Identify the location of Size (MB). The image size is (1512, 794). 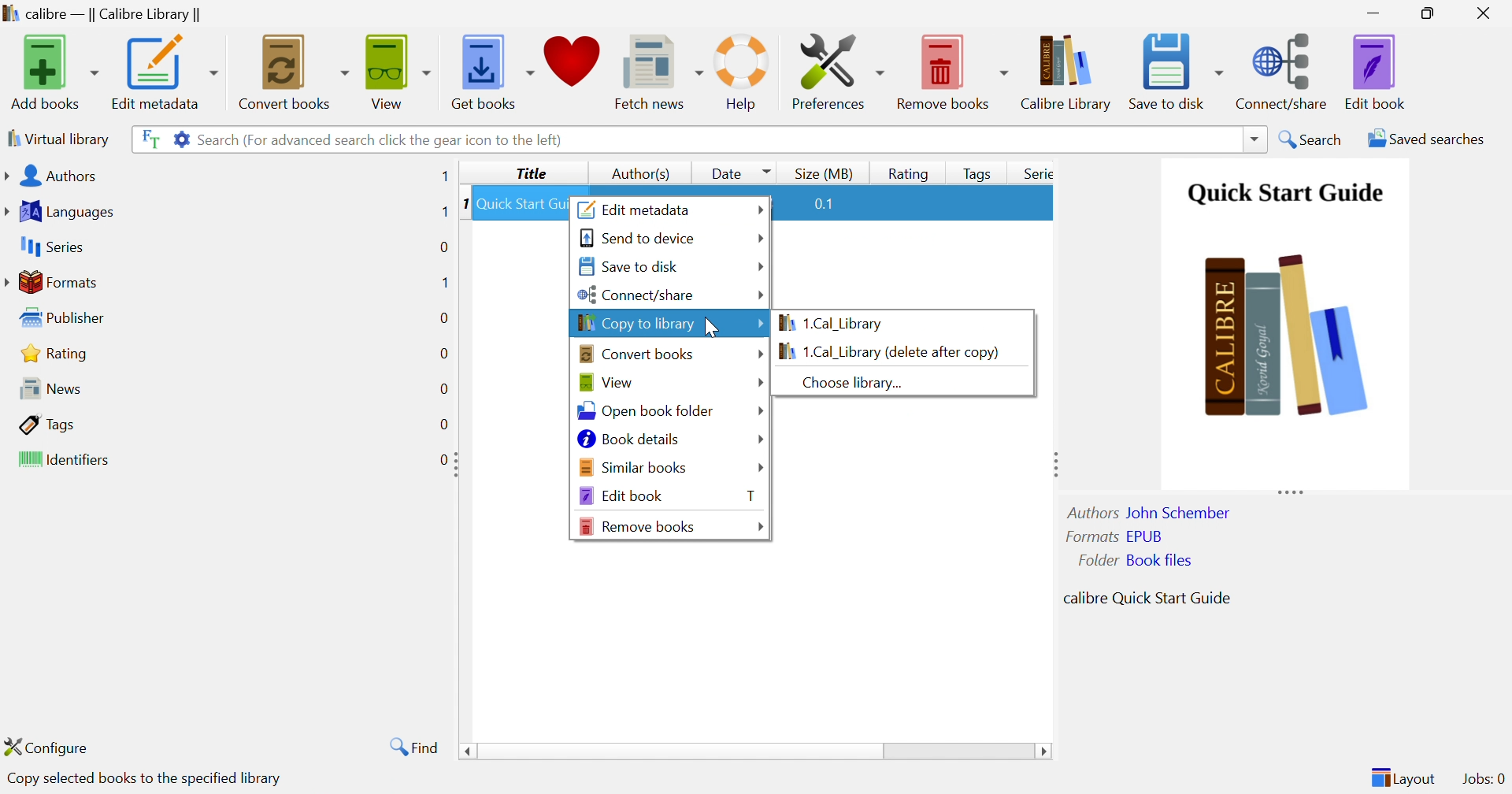
(823, 173).